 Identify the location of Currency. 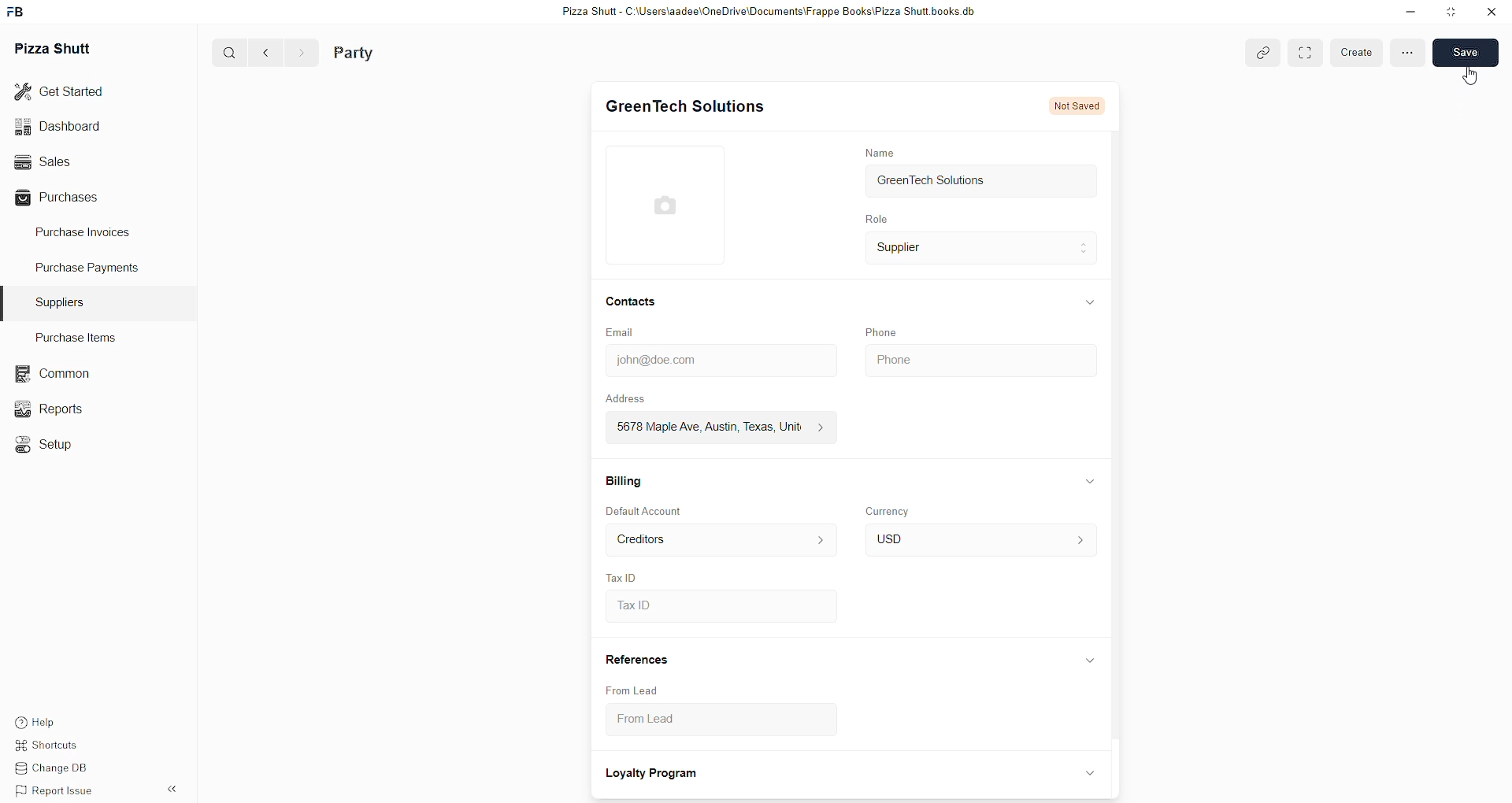
(891, 510).